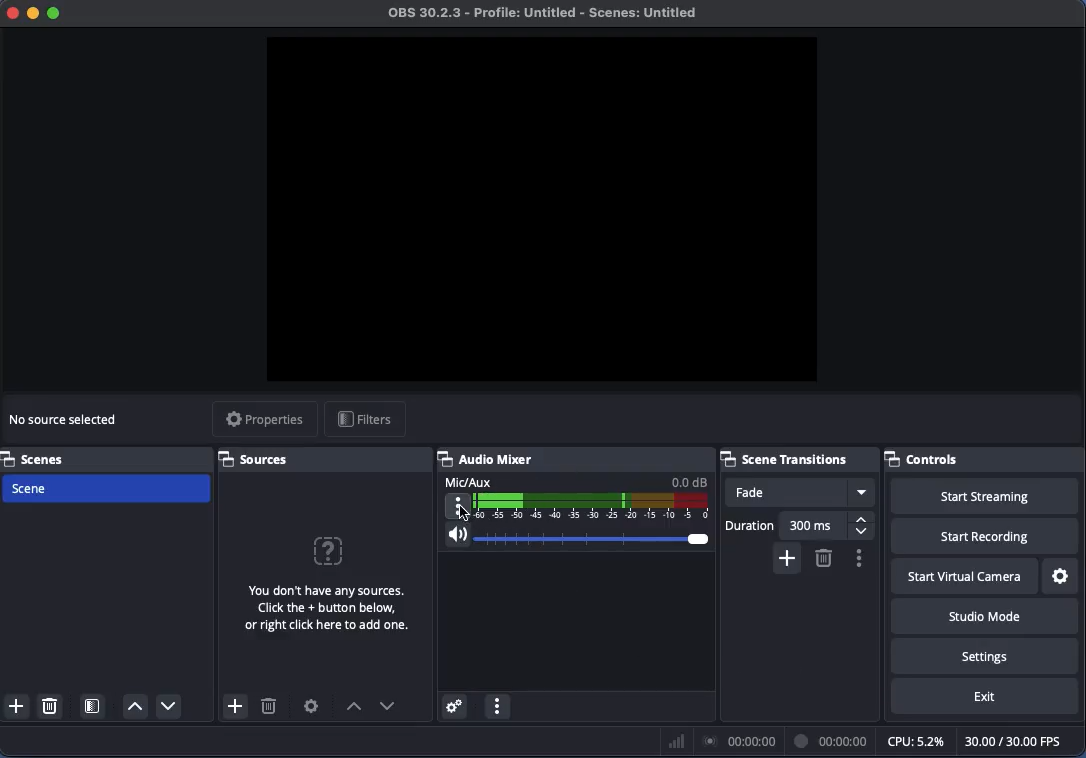 The width and height of the screenshot is (1086, 758). What do you see at coordinates (983, 458) in the screenshot?
I see `Controls` at bounding box center [983, 458].